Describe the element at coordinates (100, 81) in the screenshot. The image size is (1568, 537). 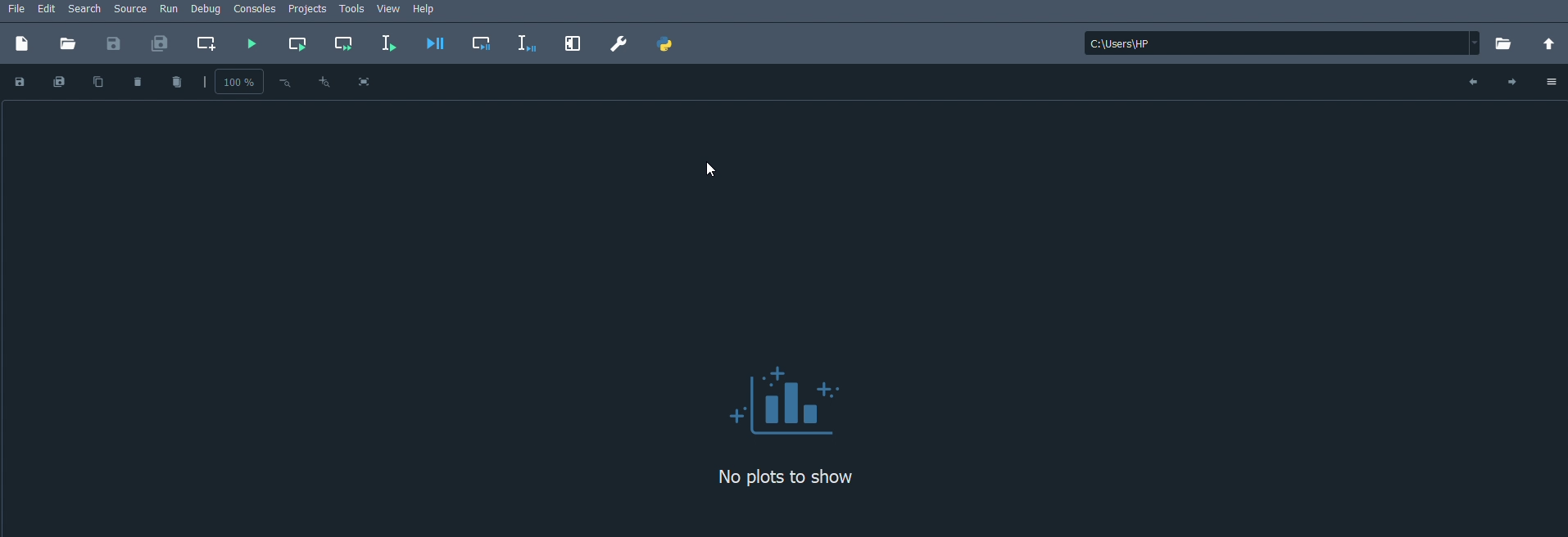
I see `copy` at that location.